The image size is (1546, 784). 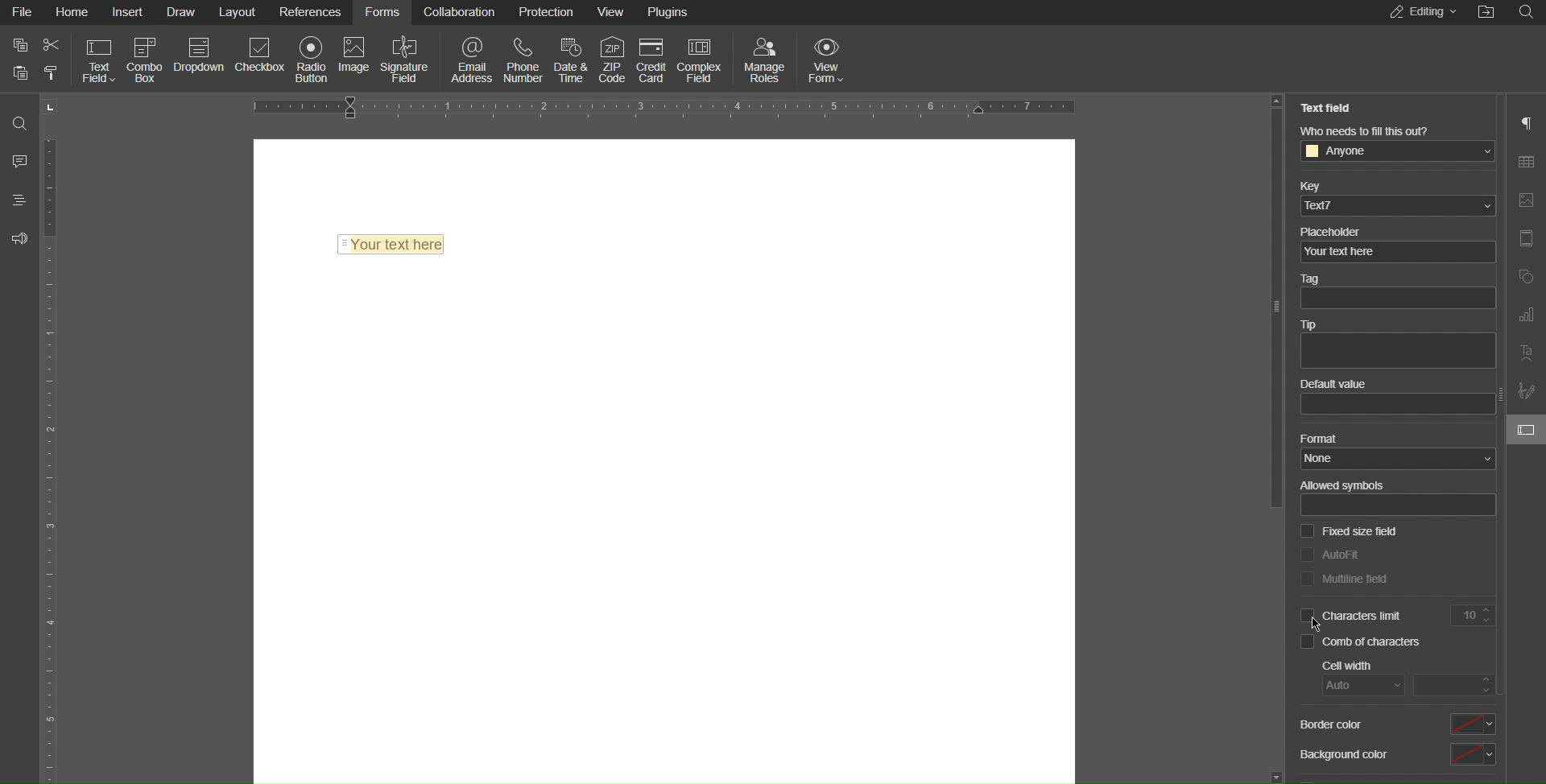 What do you see at coordinates (671, 10) in the screenshot?
I see `Plugins` at bounding box center [671, 10].